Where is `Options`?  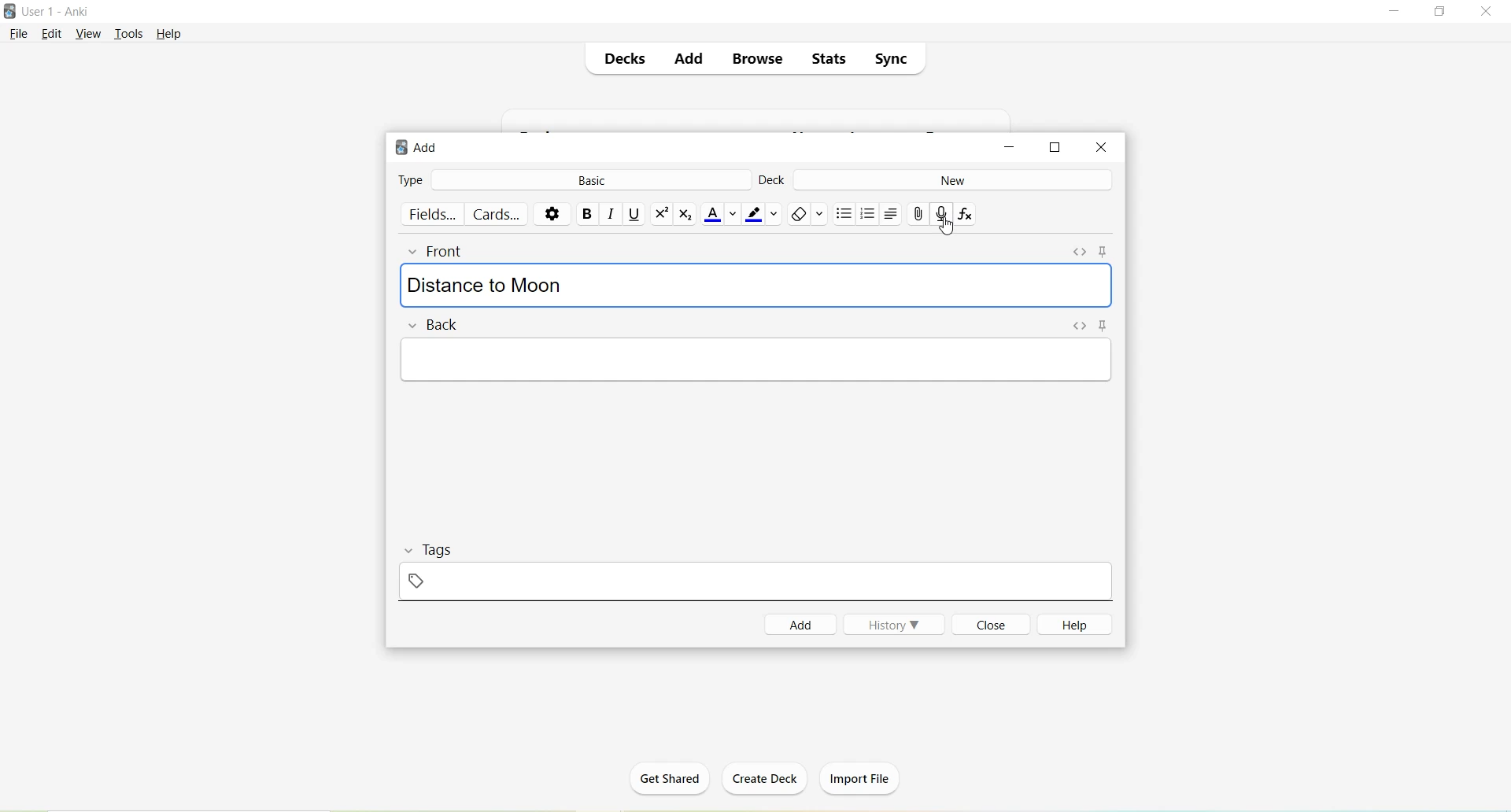
Options is located at coordinates (551, 214).